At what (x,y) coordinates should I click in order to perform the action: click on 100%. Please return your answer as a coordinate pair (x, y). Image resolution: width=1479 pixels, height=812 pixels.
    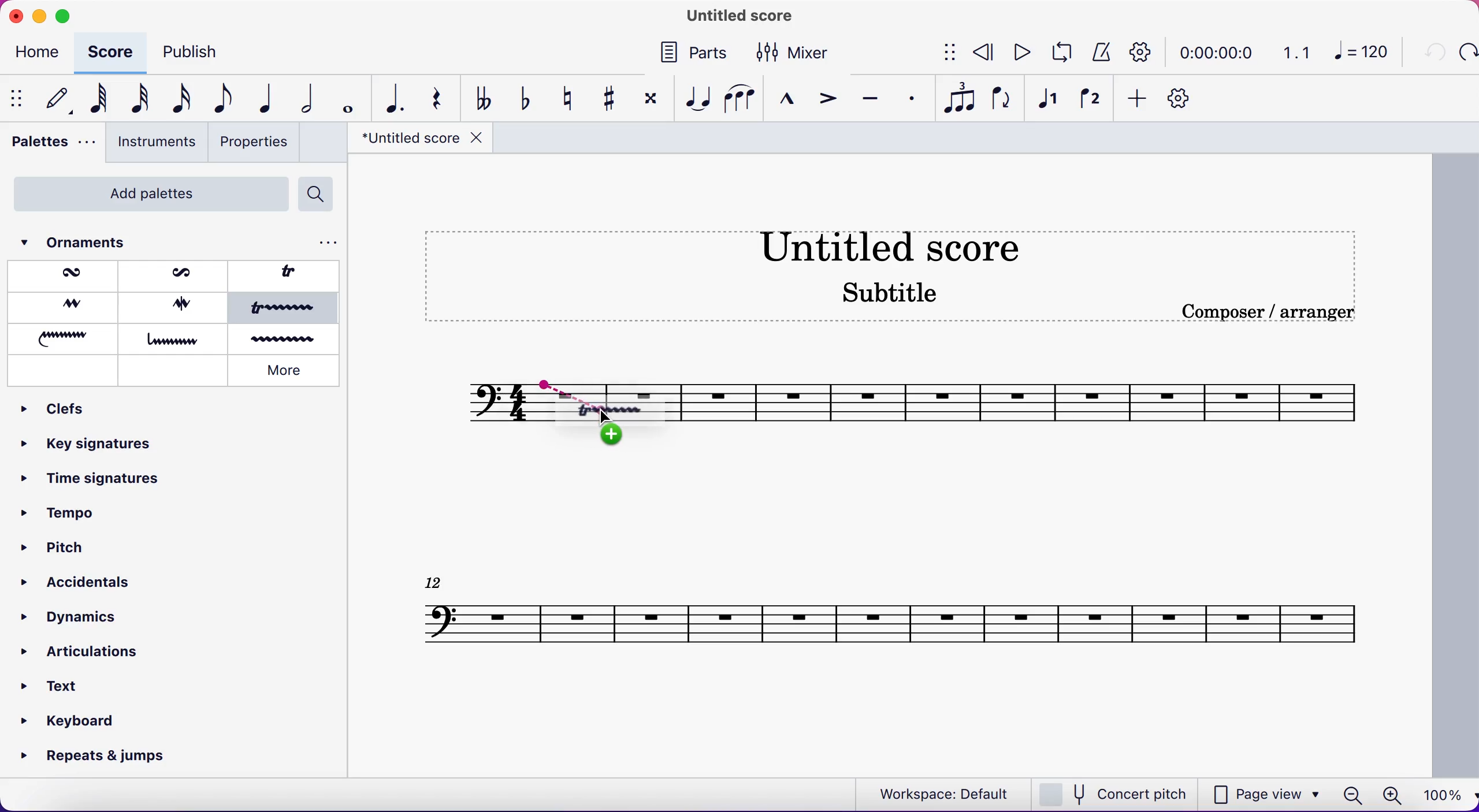
    Looking at the image, I should click on (1444, 796).